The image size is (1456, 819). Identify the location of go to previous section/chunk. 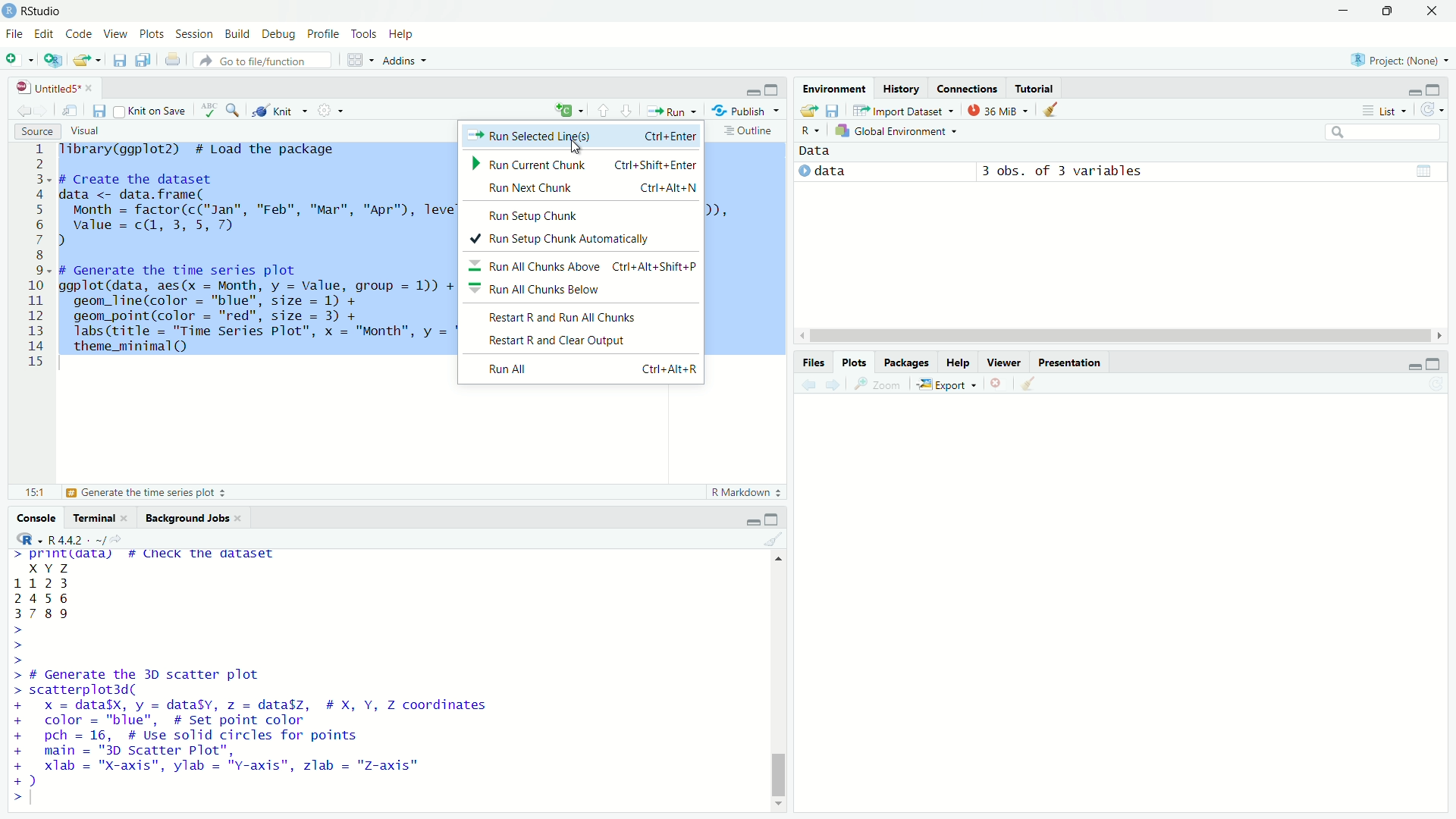
(601, 111).